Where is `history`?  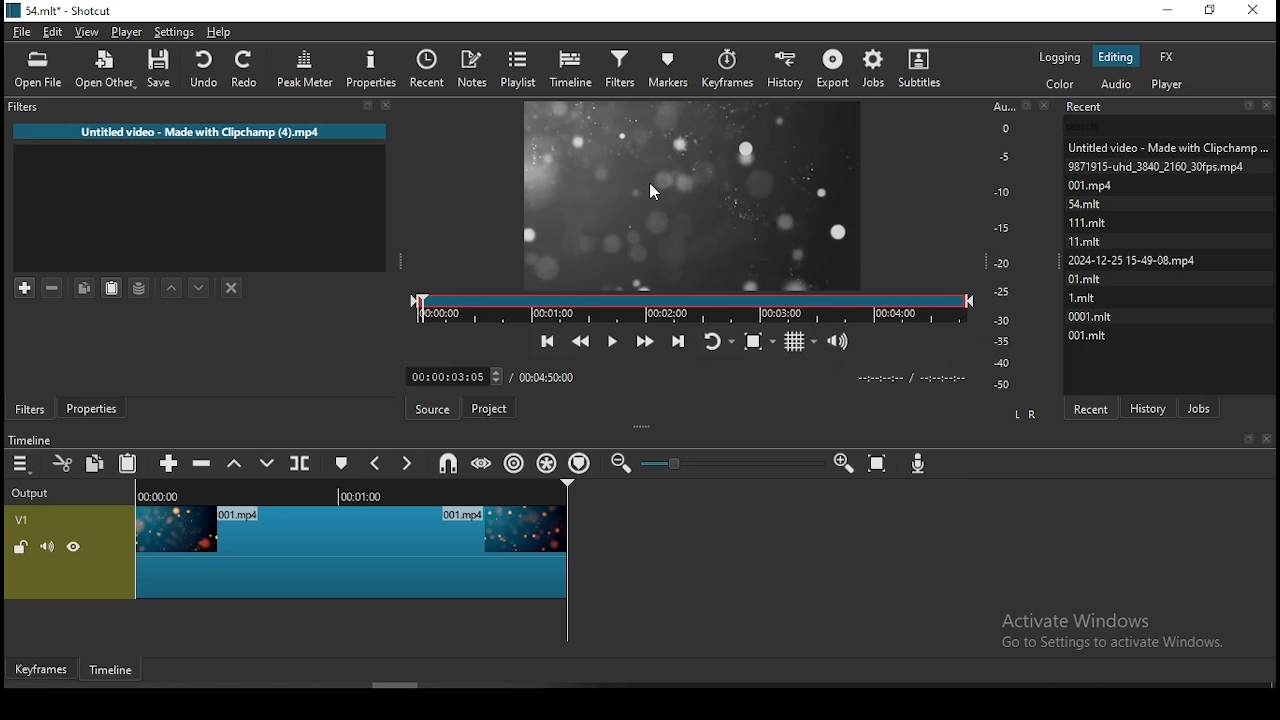 history is located at coordinates (1151, 405).